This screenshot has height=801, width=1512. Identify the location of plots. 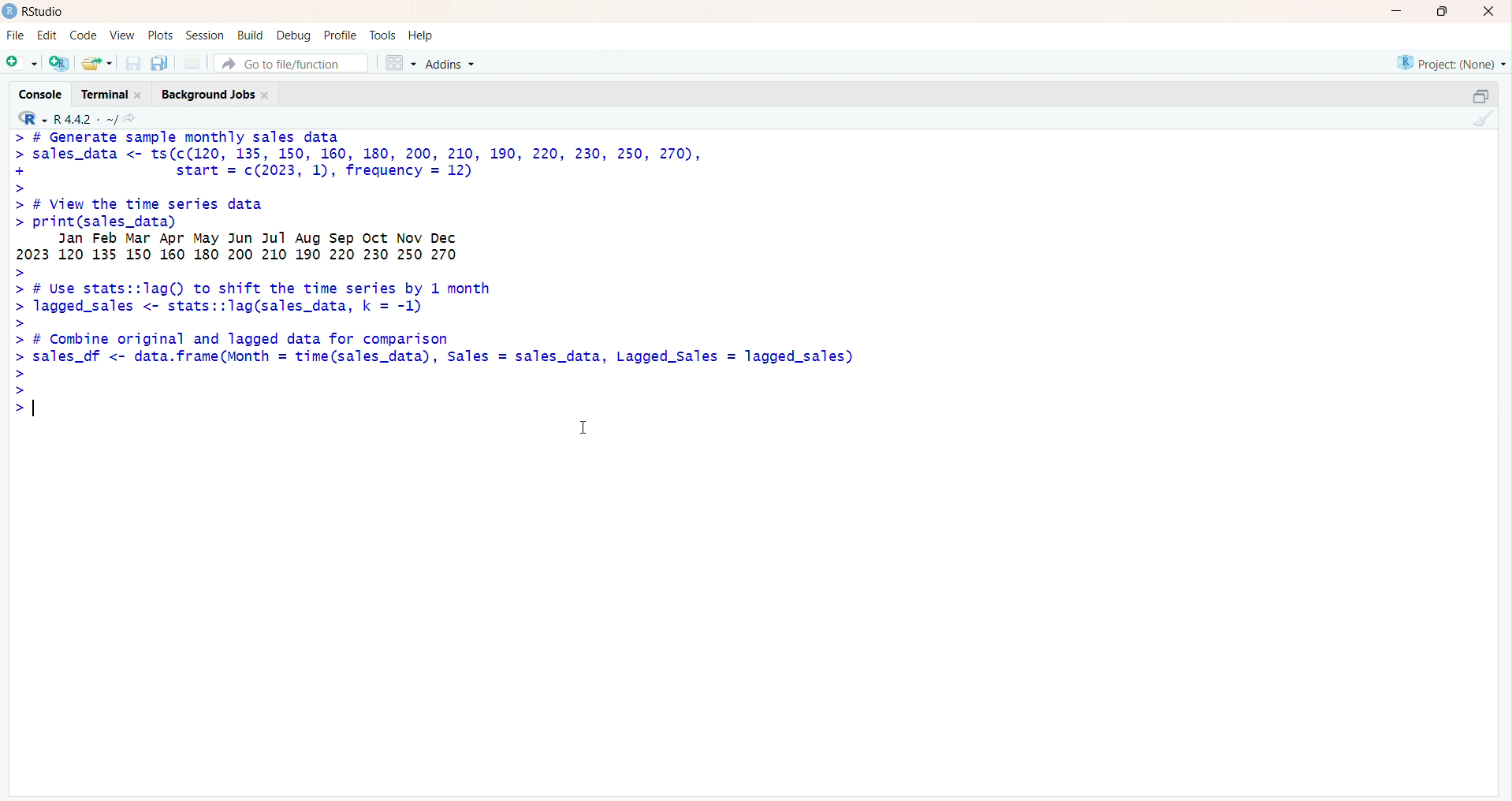
(162, 35).